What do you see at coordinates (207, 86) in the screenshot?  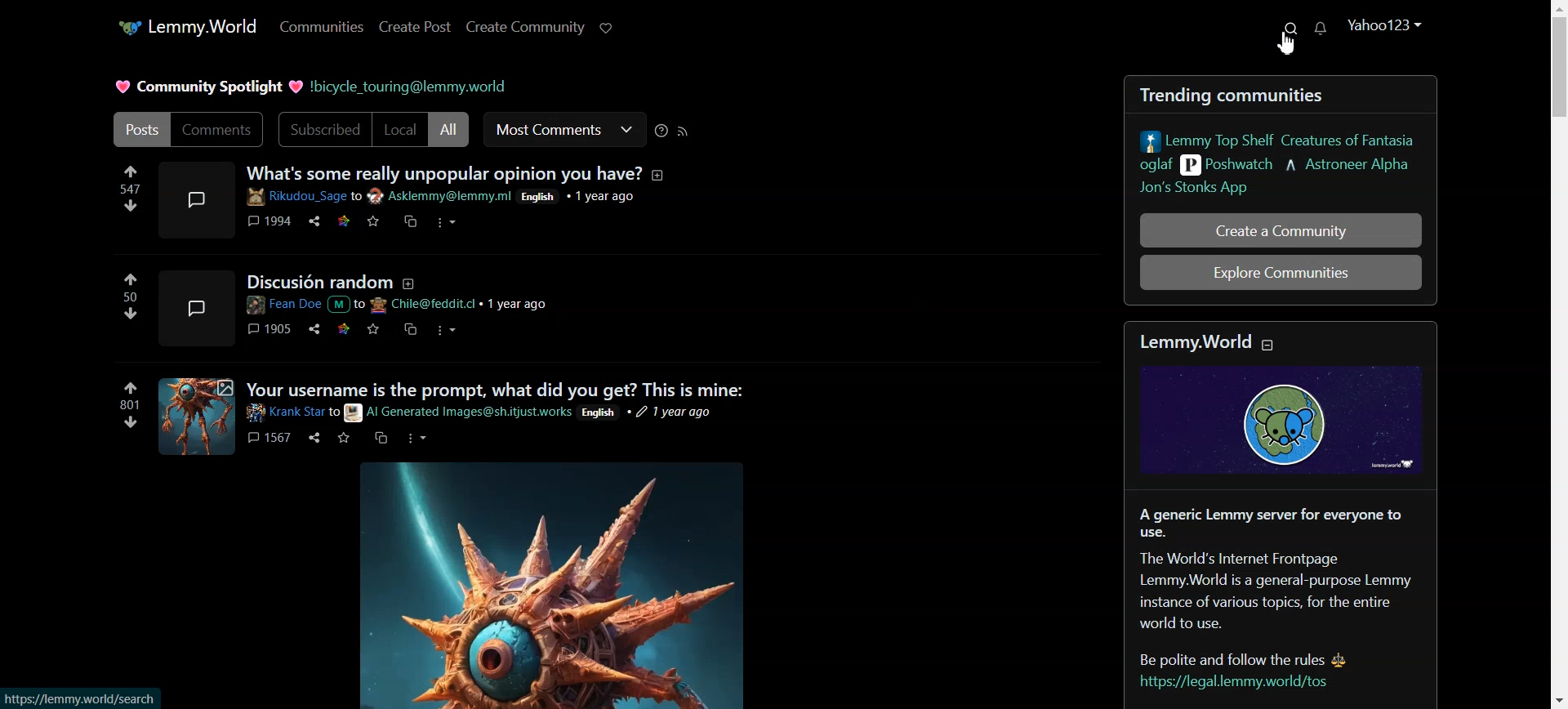 I see `Text` at bounding box center [207, 86].